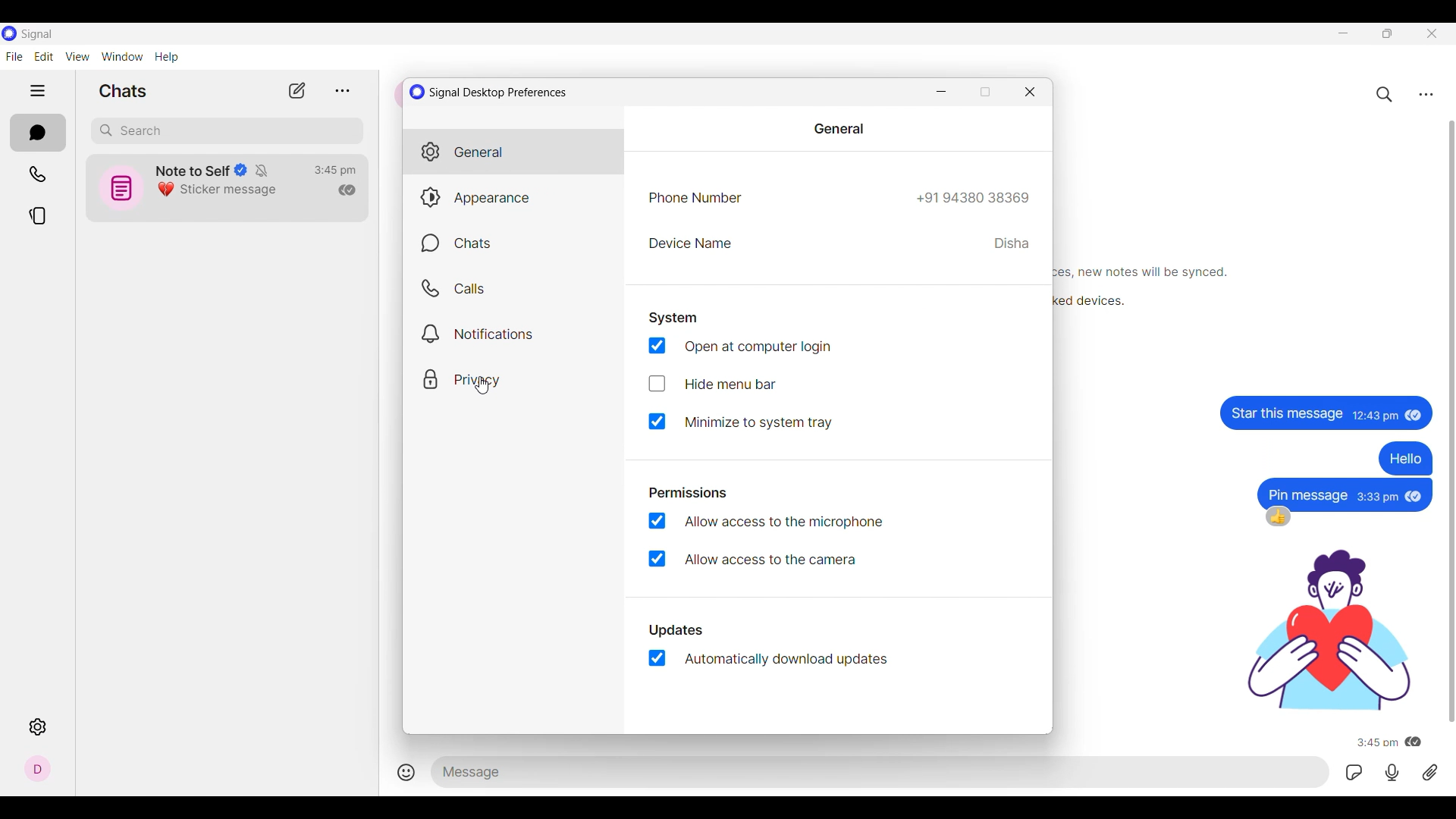  What do you see at coordinates (227, 131) in the screenshot?
I see `Search box` at bounding box center [227, 131].